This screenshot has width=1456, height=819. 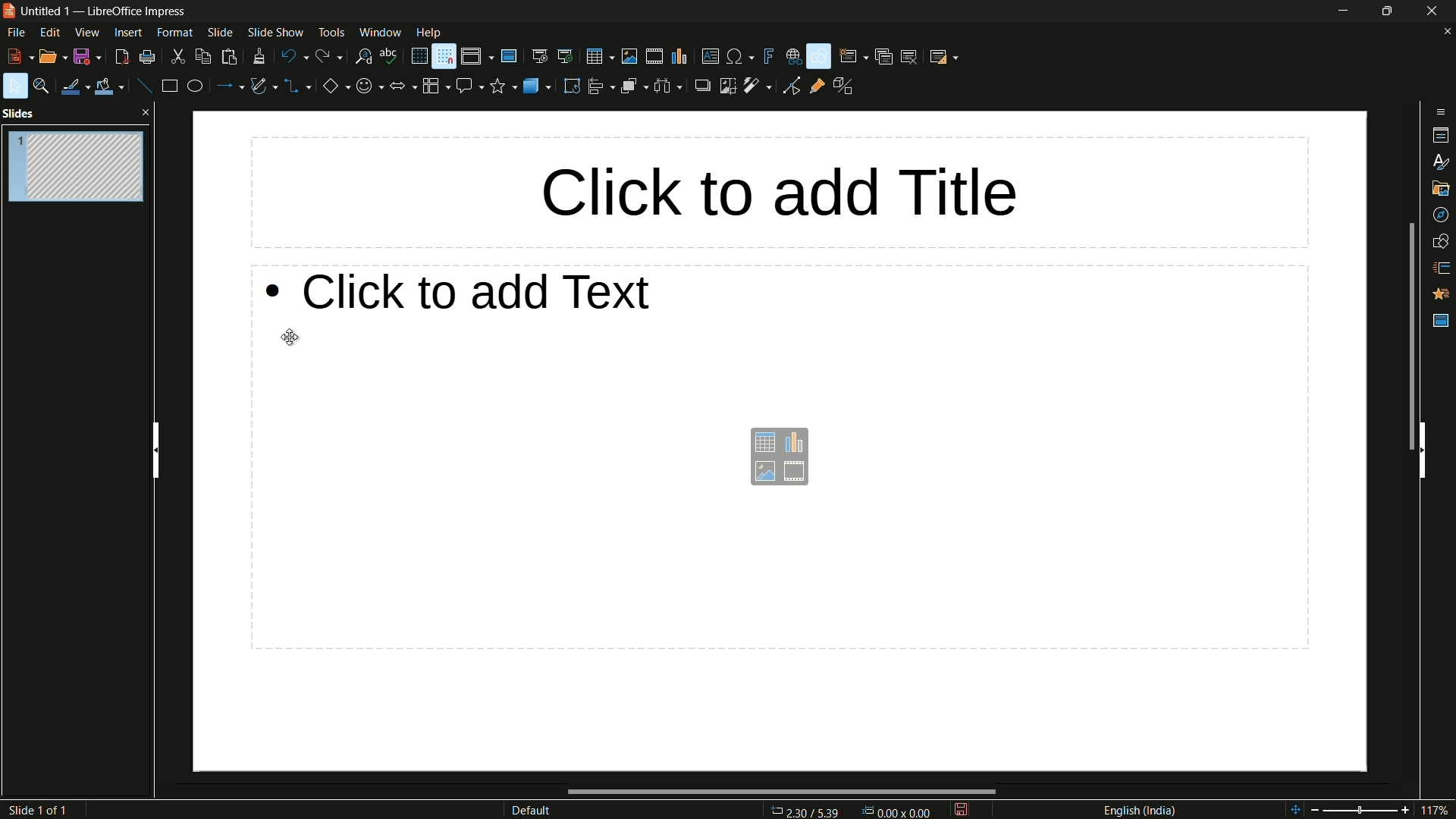 What do you see at coordinates (380, 33) in the screenshot?
I see `window menu` at bounding box center [380, 33].